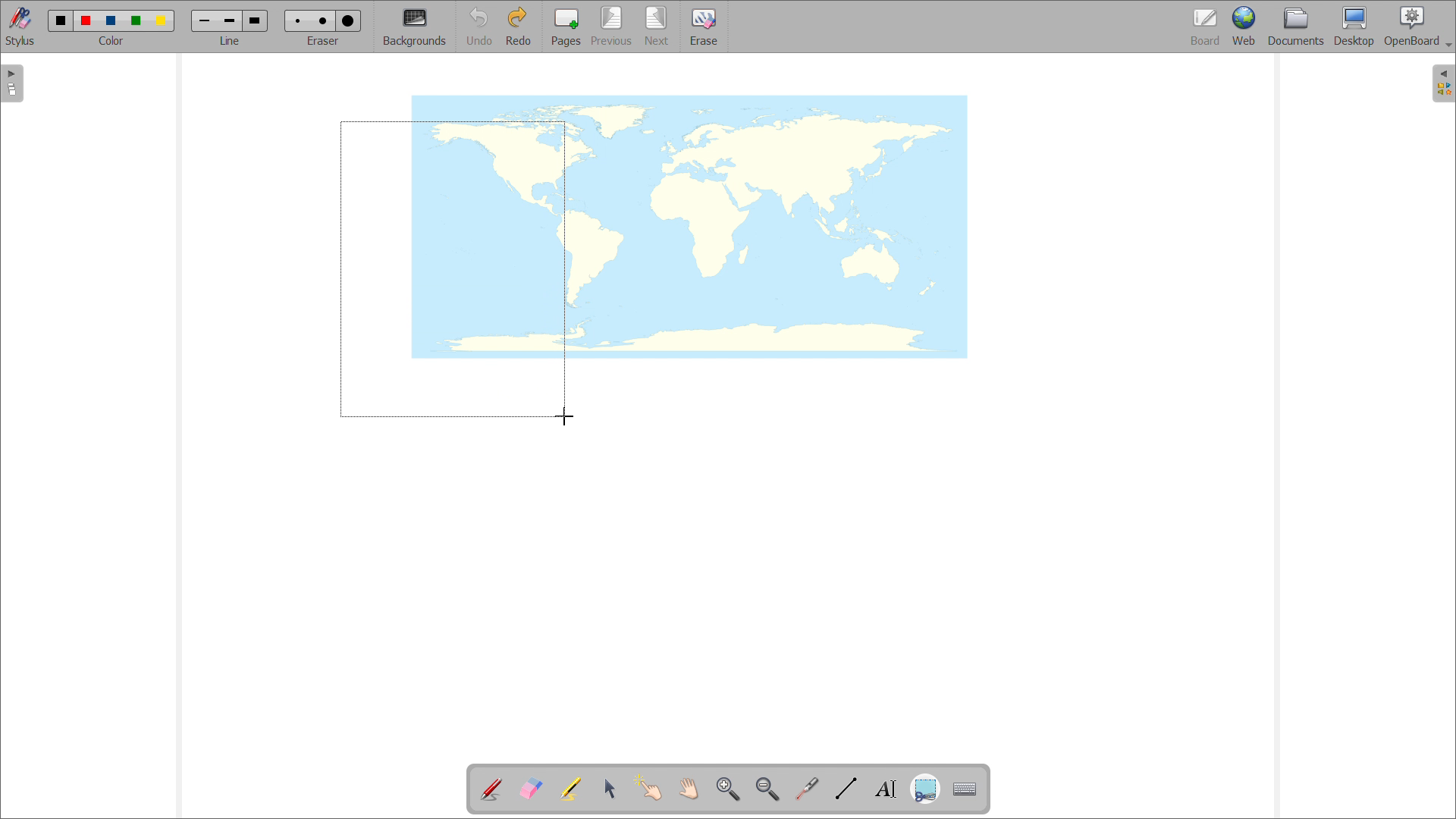 The height and width of the screenshot is (819, 1456). I want to click on redo, so click(518, 26).